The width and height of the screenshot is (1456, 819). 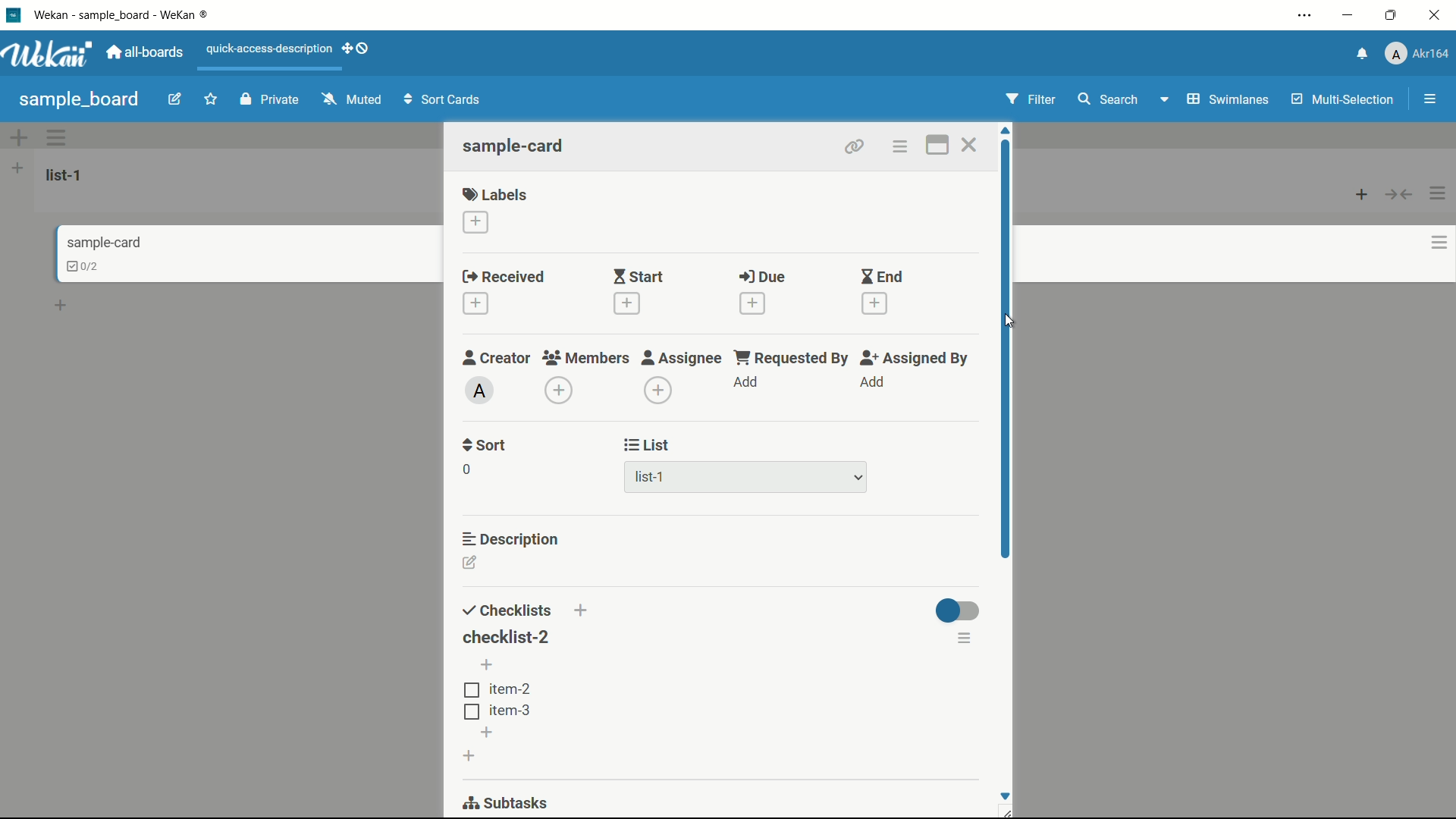 I want to click on show/hide sidebar, so click(x=1429, y=99).